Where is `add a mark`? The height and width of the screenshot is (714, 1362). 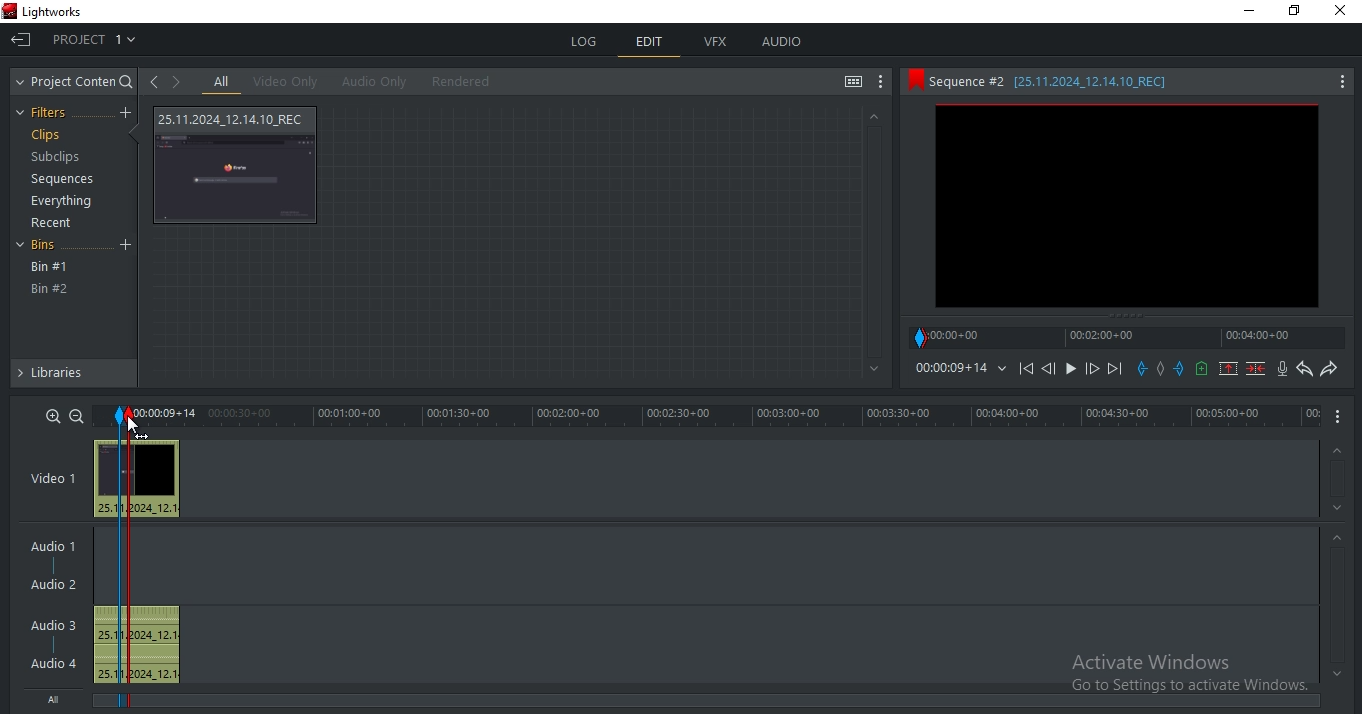
add a mark is located at coordinates (1161, 369).